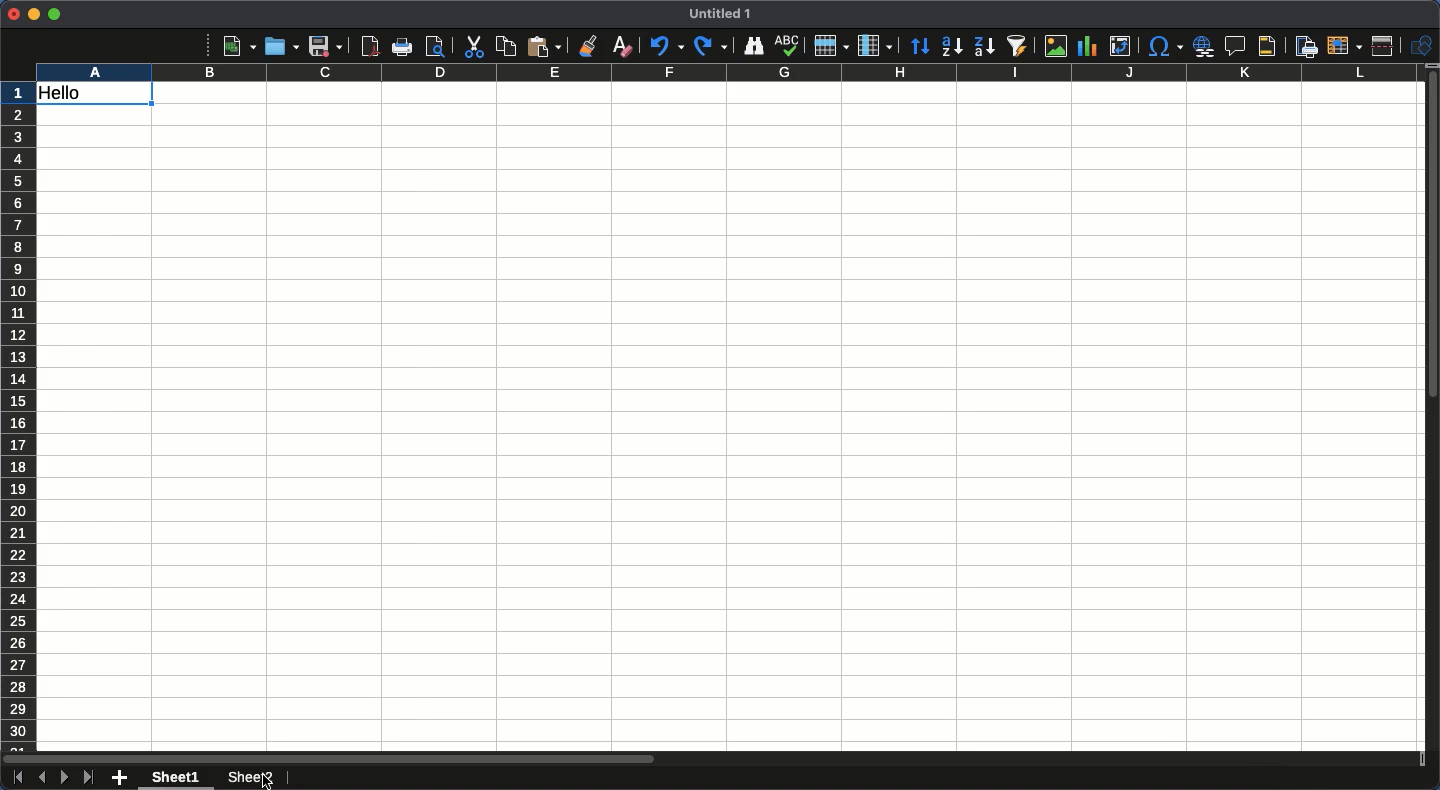 The height and width of the screenshot is (790, 1440). What do you see at coordinates (1387, 46) in the screenshot?
I see `Split window` at bounding box center [1387, 46].